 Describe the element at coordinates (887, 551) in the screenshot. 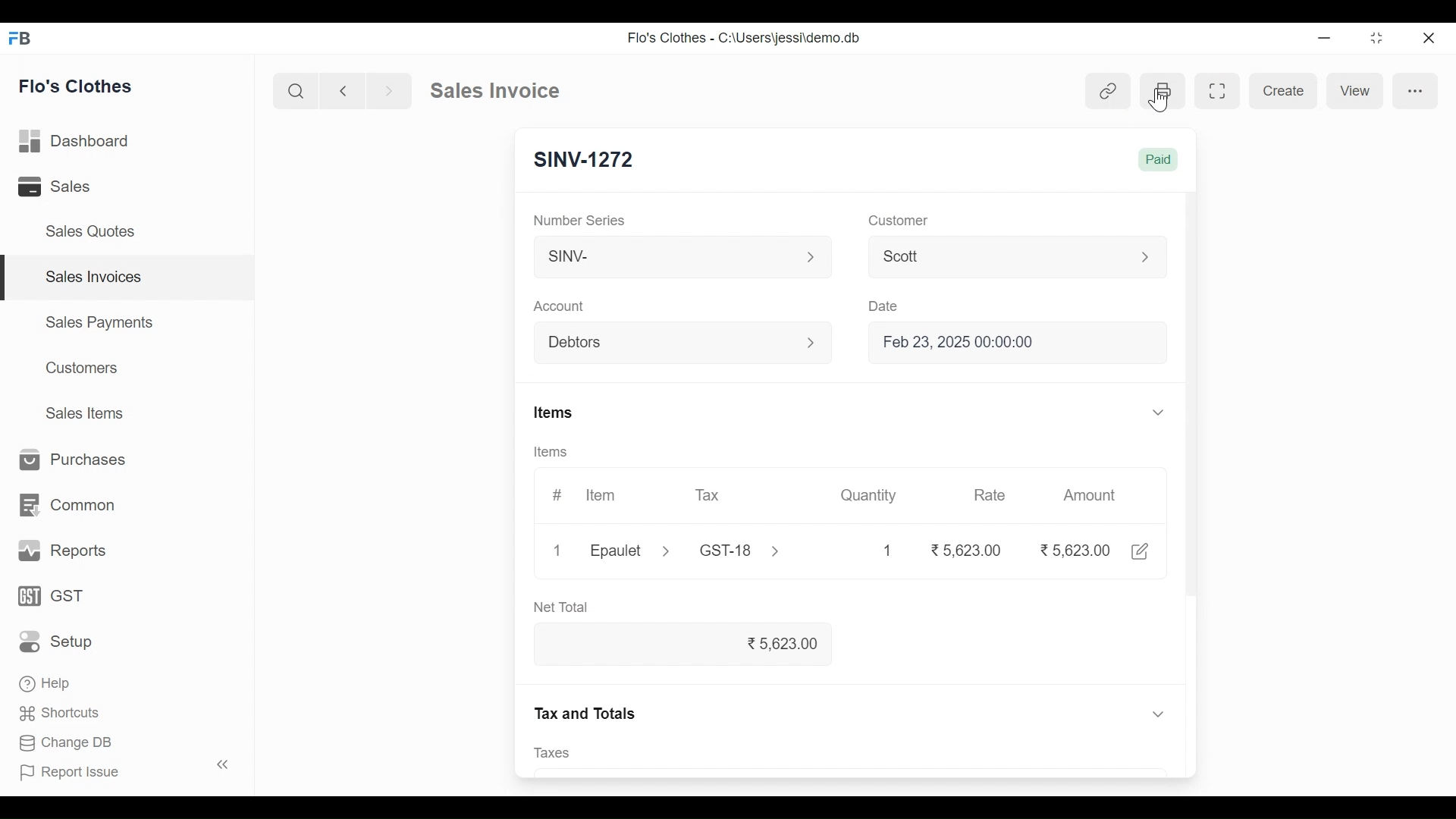

I see `1` at that location.